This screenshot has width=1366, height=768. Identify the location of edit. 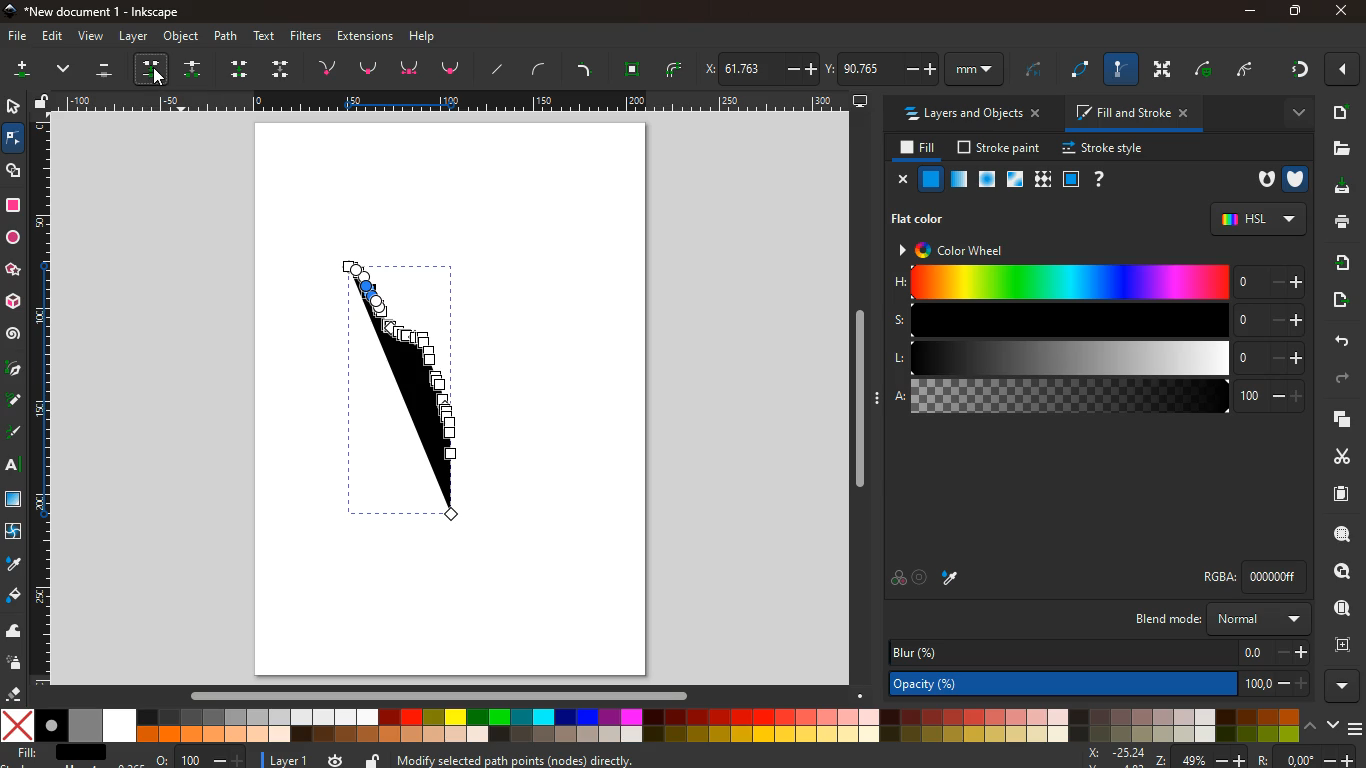
(51, 37).